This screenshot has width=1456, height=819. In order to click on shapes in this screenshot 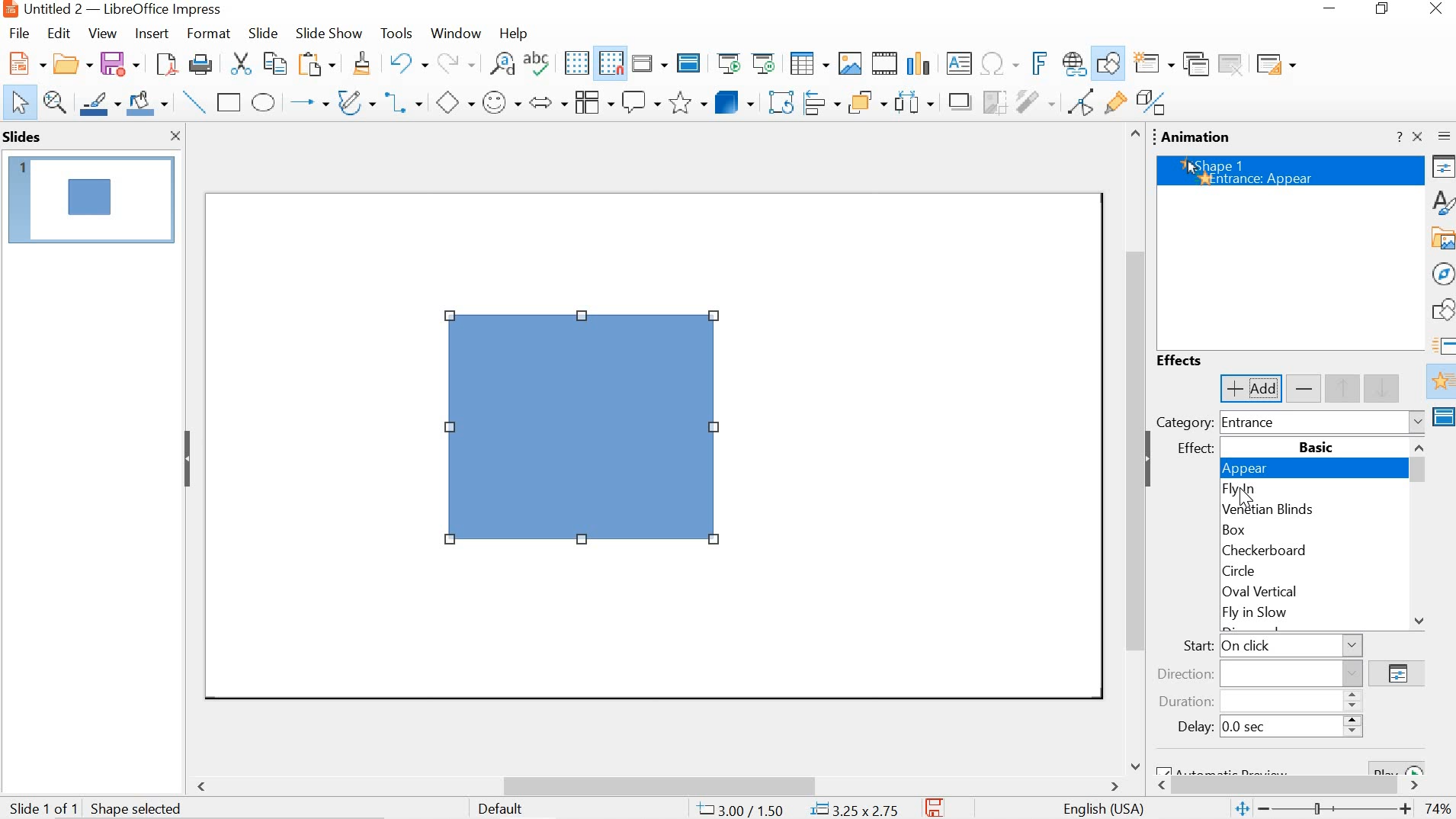, I will do `click(1442, 311)`.